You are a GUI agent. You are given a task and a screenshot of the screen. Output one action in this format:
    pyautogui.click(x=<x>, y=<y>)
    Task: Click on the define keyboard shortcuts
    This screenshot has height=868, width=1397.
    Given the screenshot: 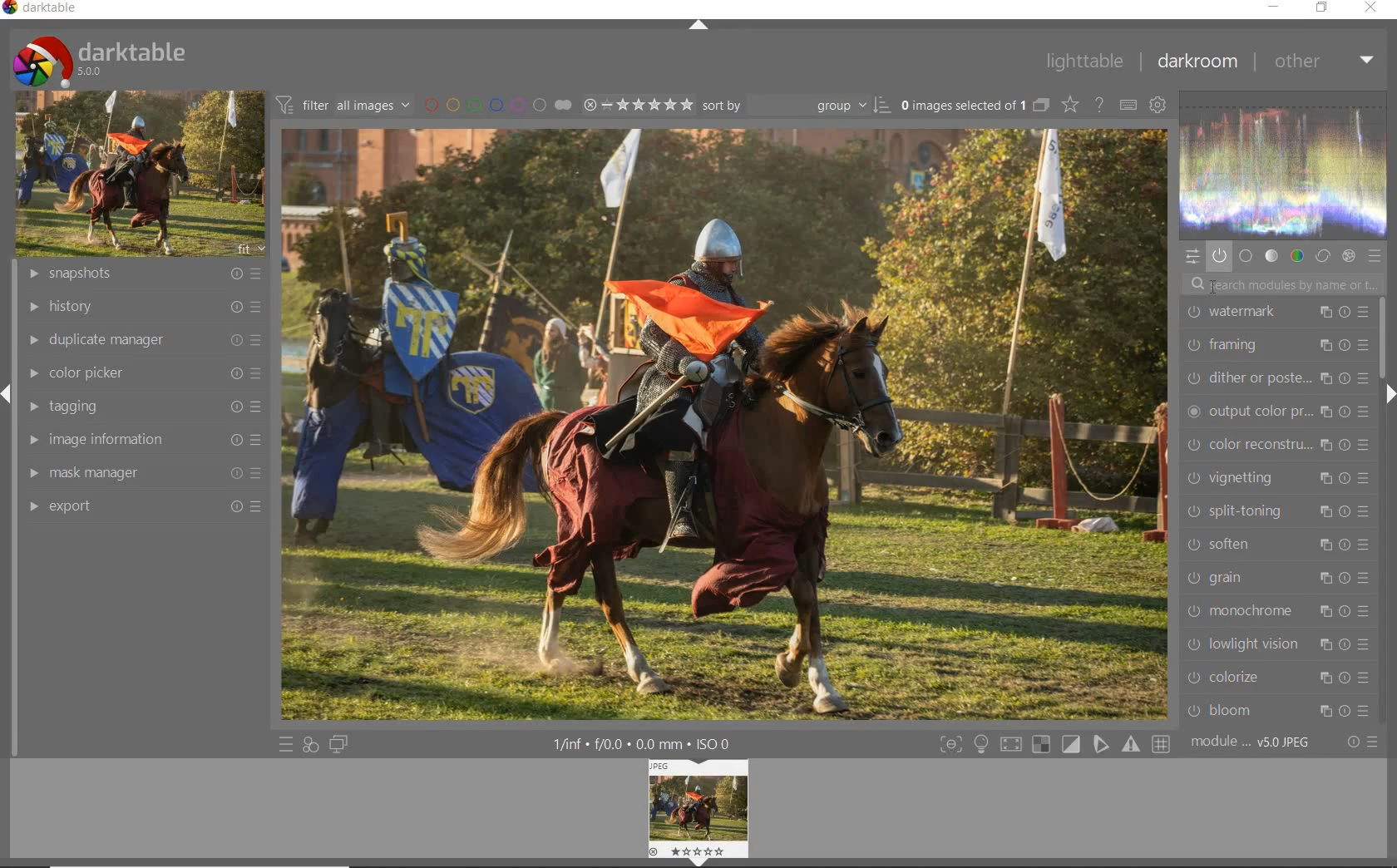 What is the action you would take?
    pyautogui.click(x=1127, y=105)
    